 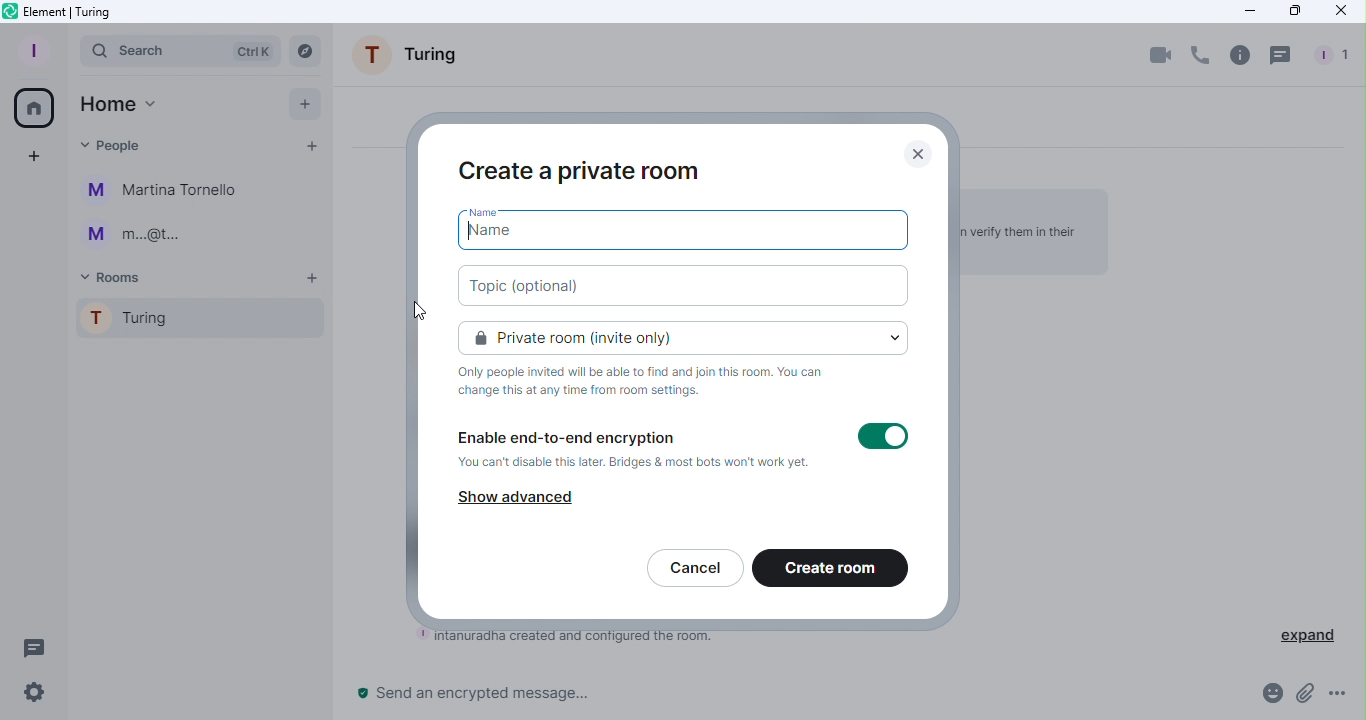 What do you see at coordinates (193, 322) in the screenshot?
I see `Turing` at bounding box center [193, 322].